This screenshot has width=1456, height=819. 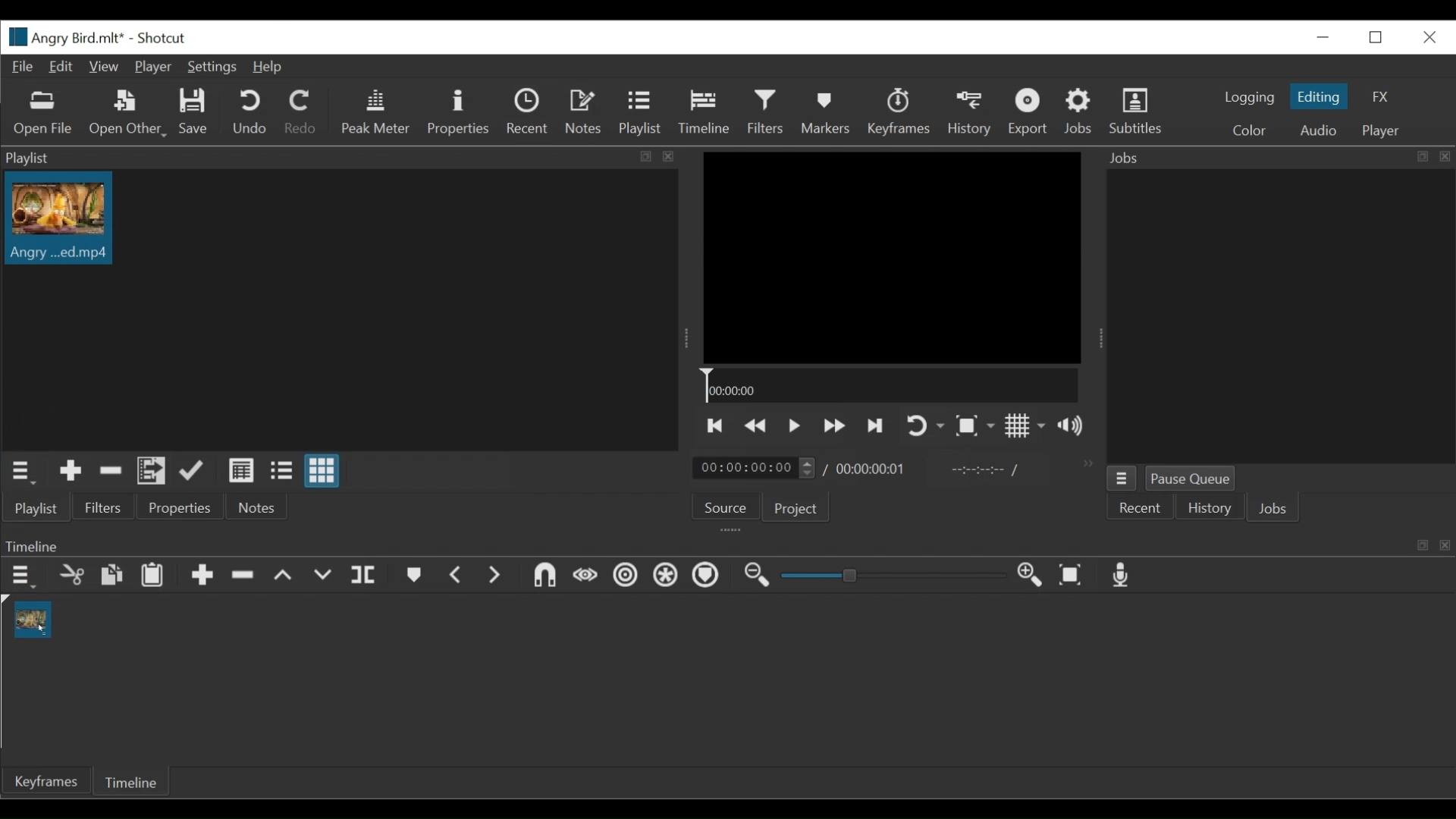 What do you see at coordinates (130, 784) in the screenshot?
I see `Timelie` at bounding box center [130, 784].